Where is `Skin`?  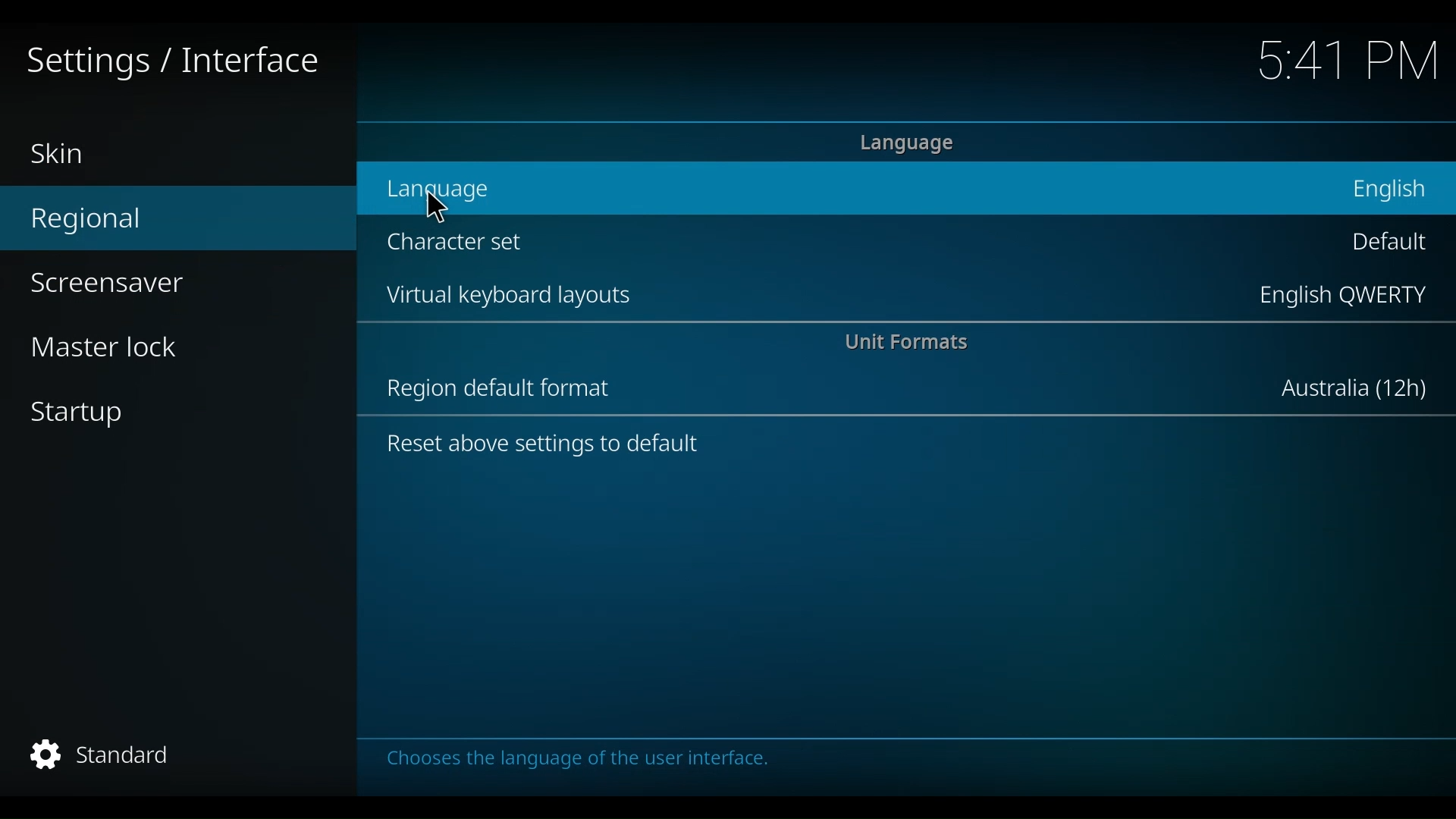 Skin is located at coordinates (66, 154).